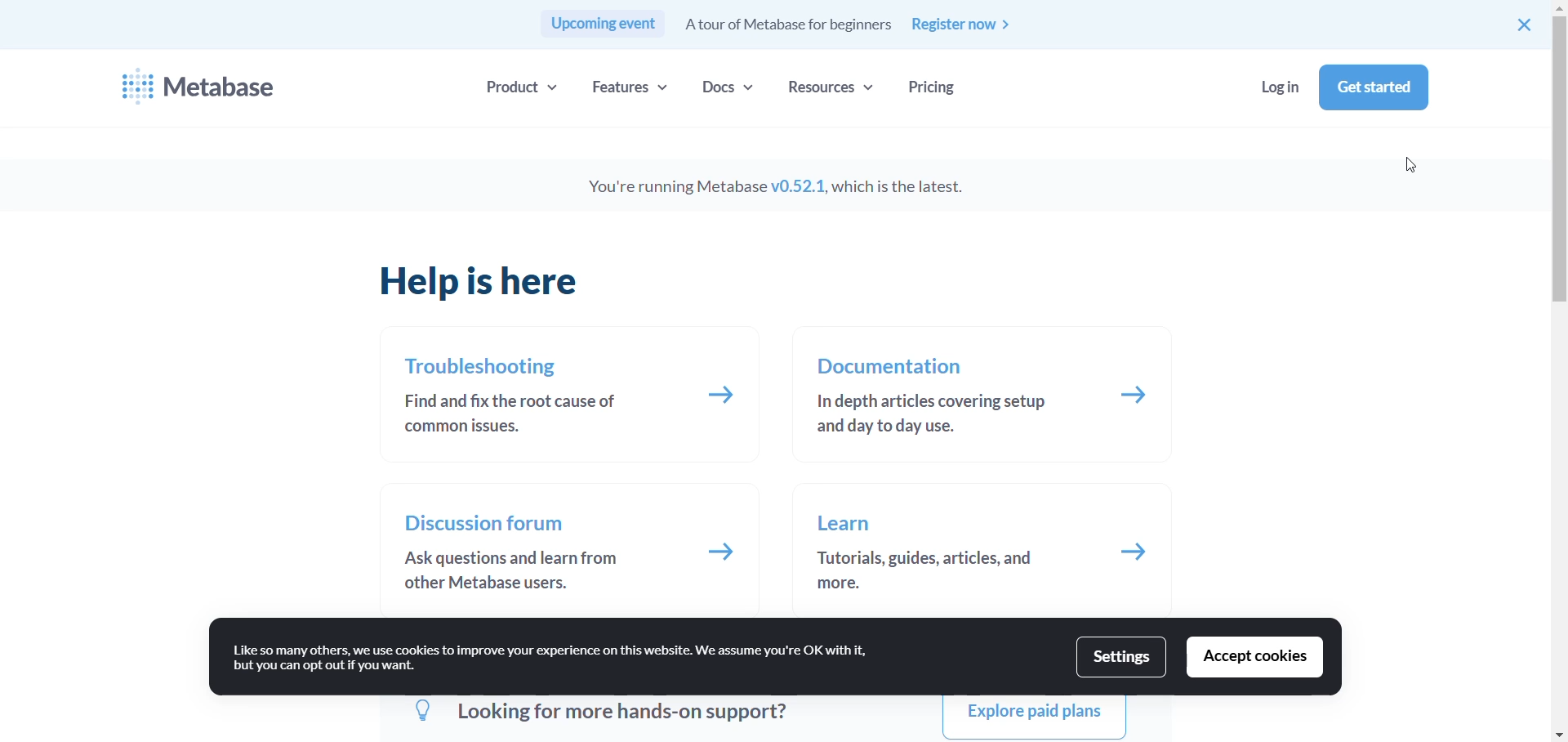  What do you see at coordinates (509, 414) in the screenshot?
I see `find and fix the root cause of common issues` at bounding box center [509, 414].